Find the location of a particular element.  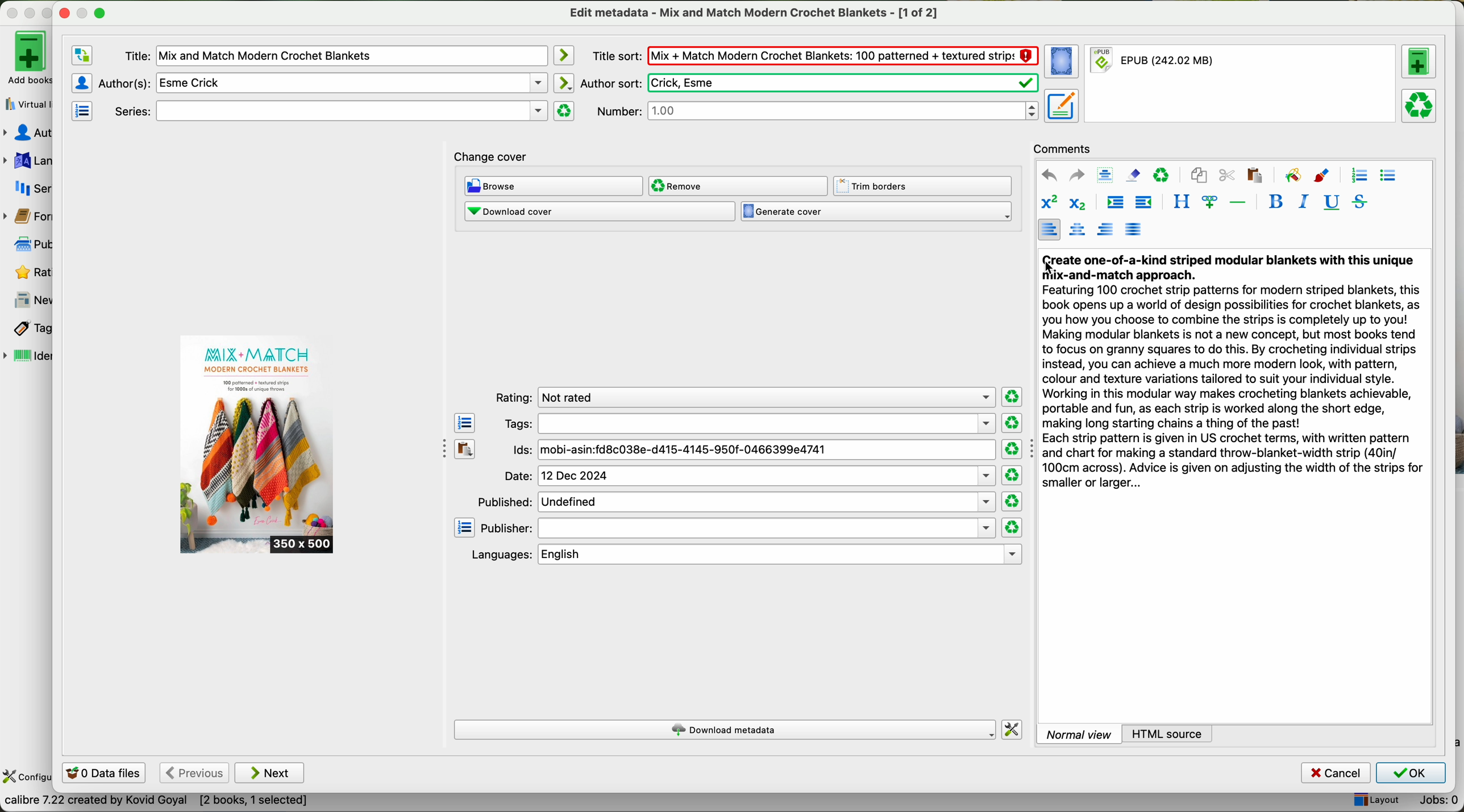

foreground color is located at coordinates (1322, 177).